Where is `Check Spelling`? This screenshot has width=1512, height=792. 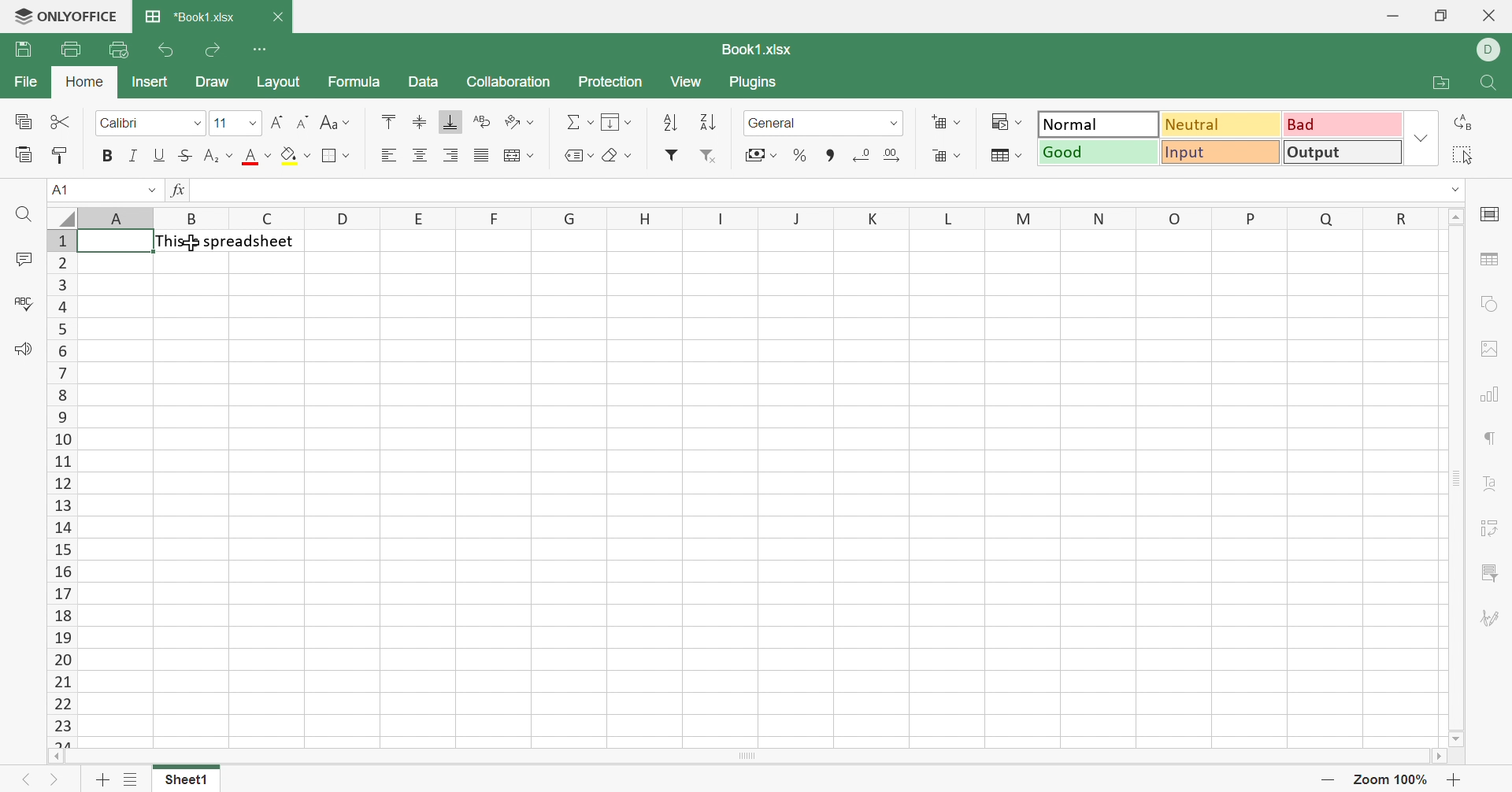
Check Spelling is located at coordinates (24, 303).